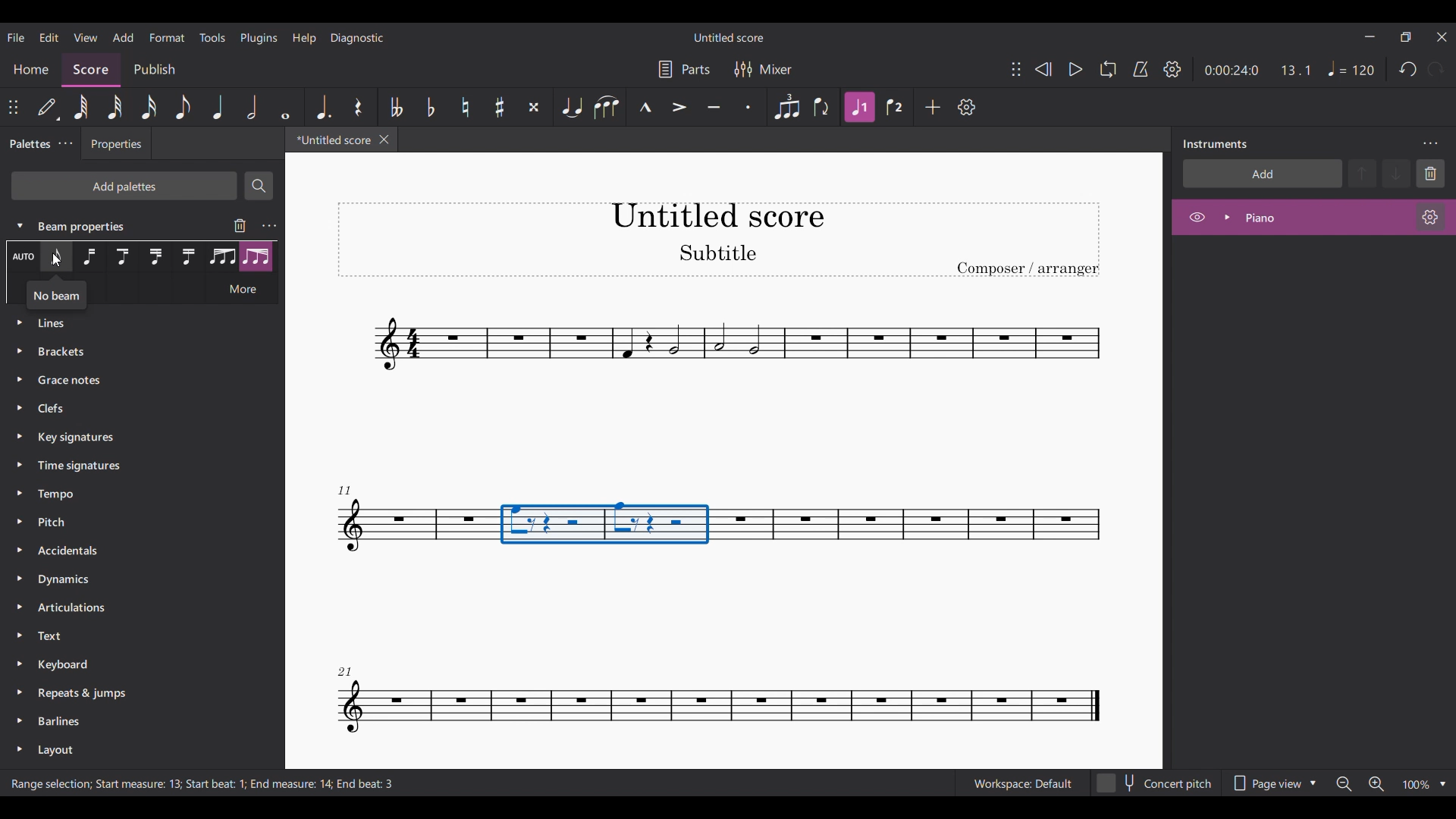 The width and height of the screenshot is (1456, 819). Describe the element at coordinates (154, 67) in the screenshot. I see `Publish section` at that location.